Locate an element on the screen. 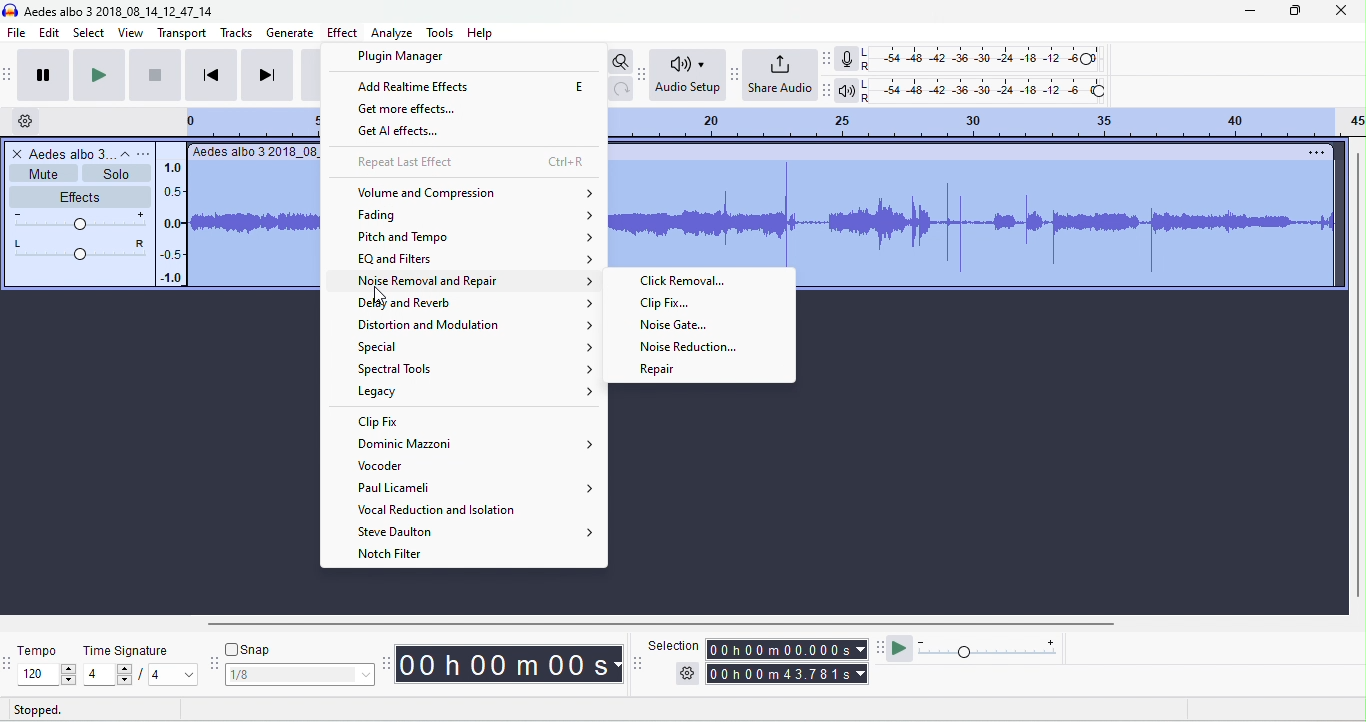  snap is located at coordinates (251, 649).